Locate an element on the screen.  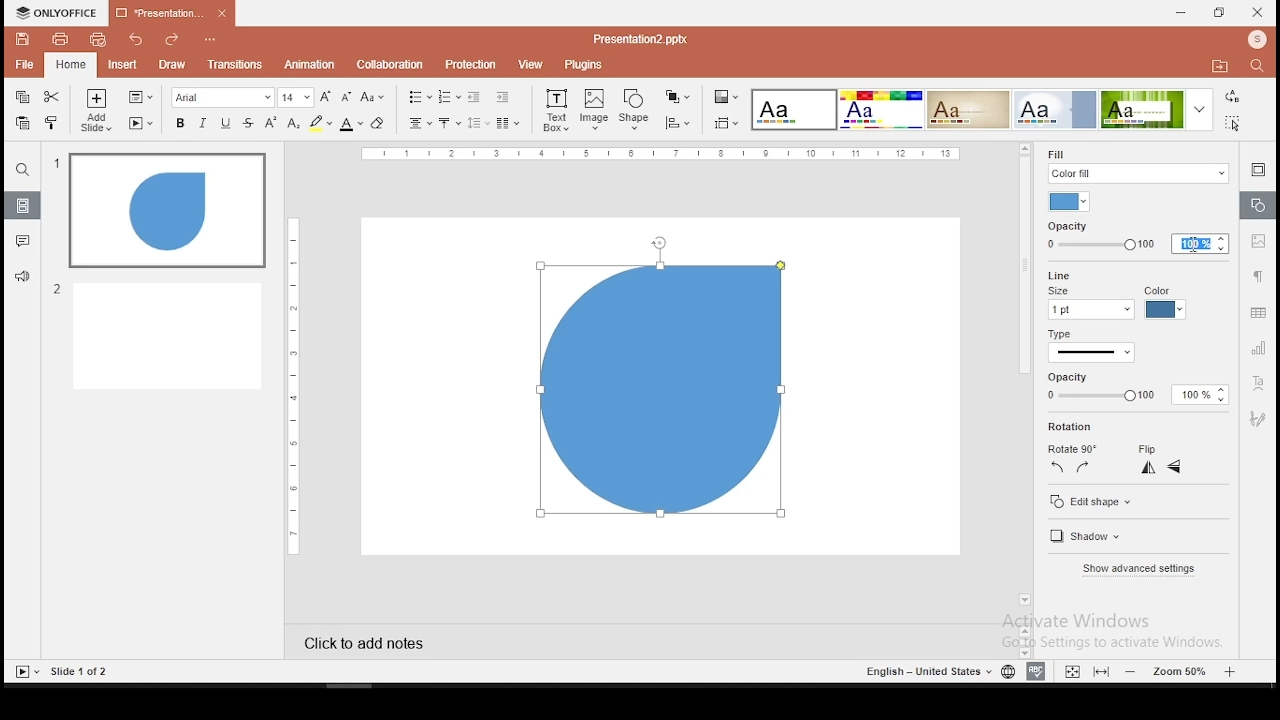
save is located at coordinates (22, 39).